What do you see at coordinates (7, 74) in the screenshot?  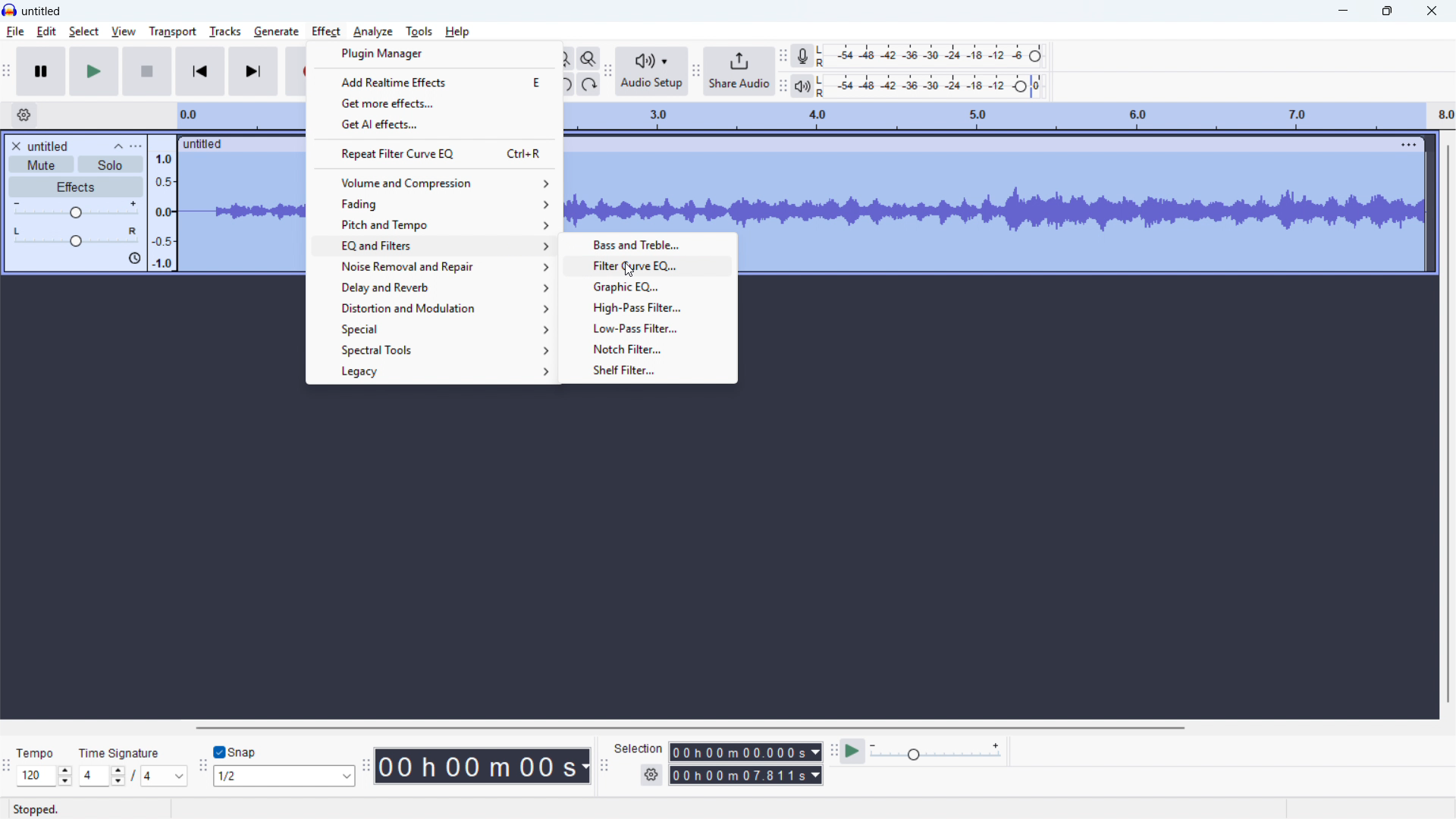 I see `transport toolbar` at bounding box center [7, 74].